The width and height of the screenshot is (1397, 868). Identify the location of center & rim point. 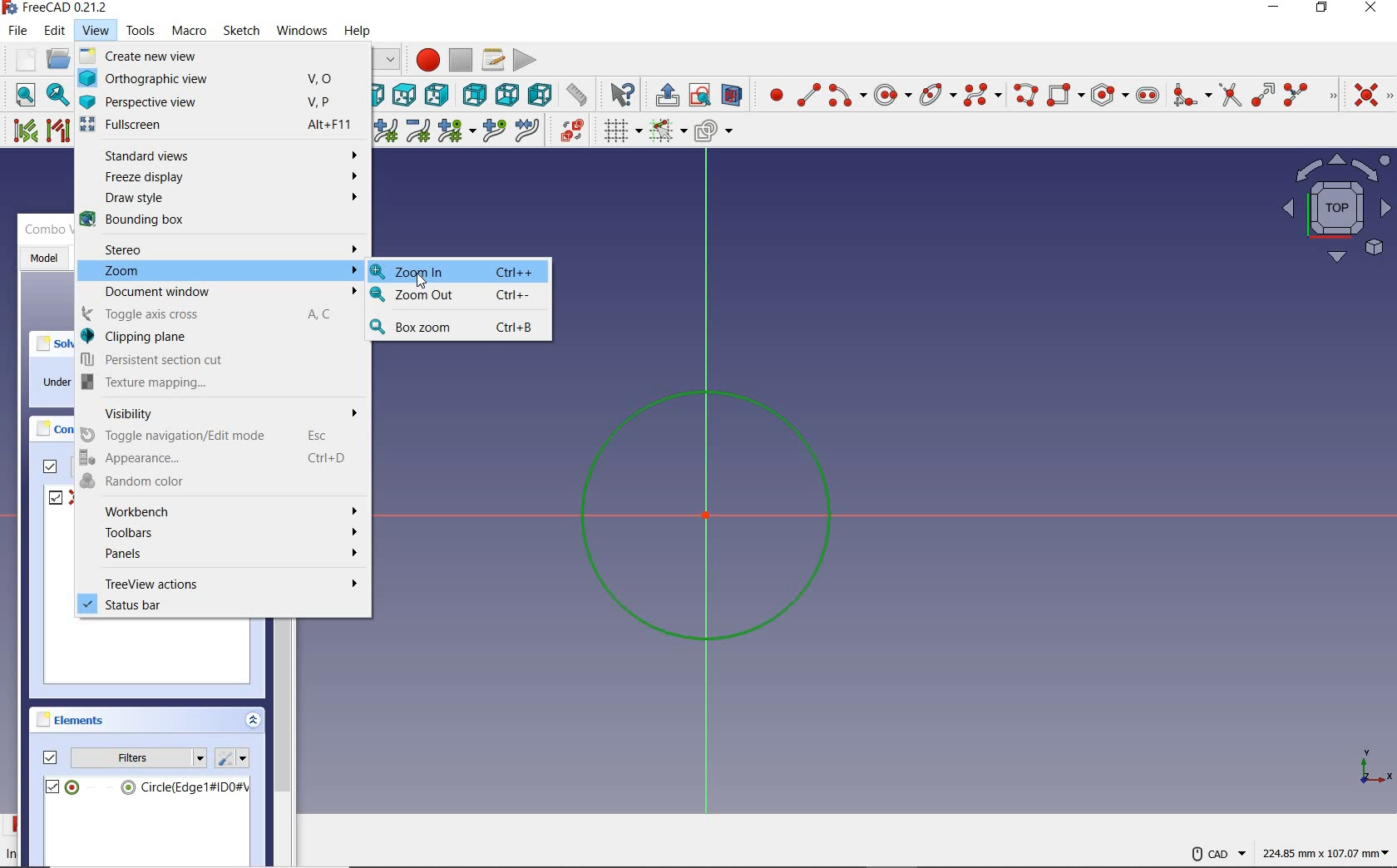
(893, 97).